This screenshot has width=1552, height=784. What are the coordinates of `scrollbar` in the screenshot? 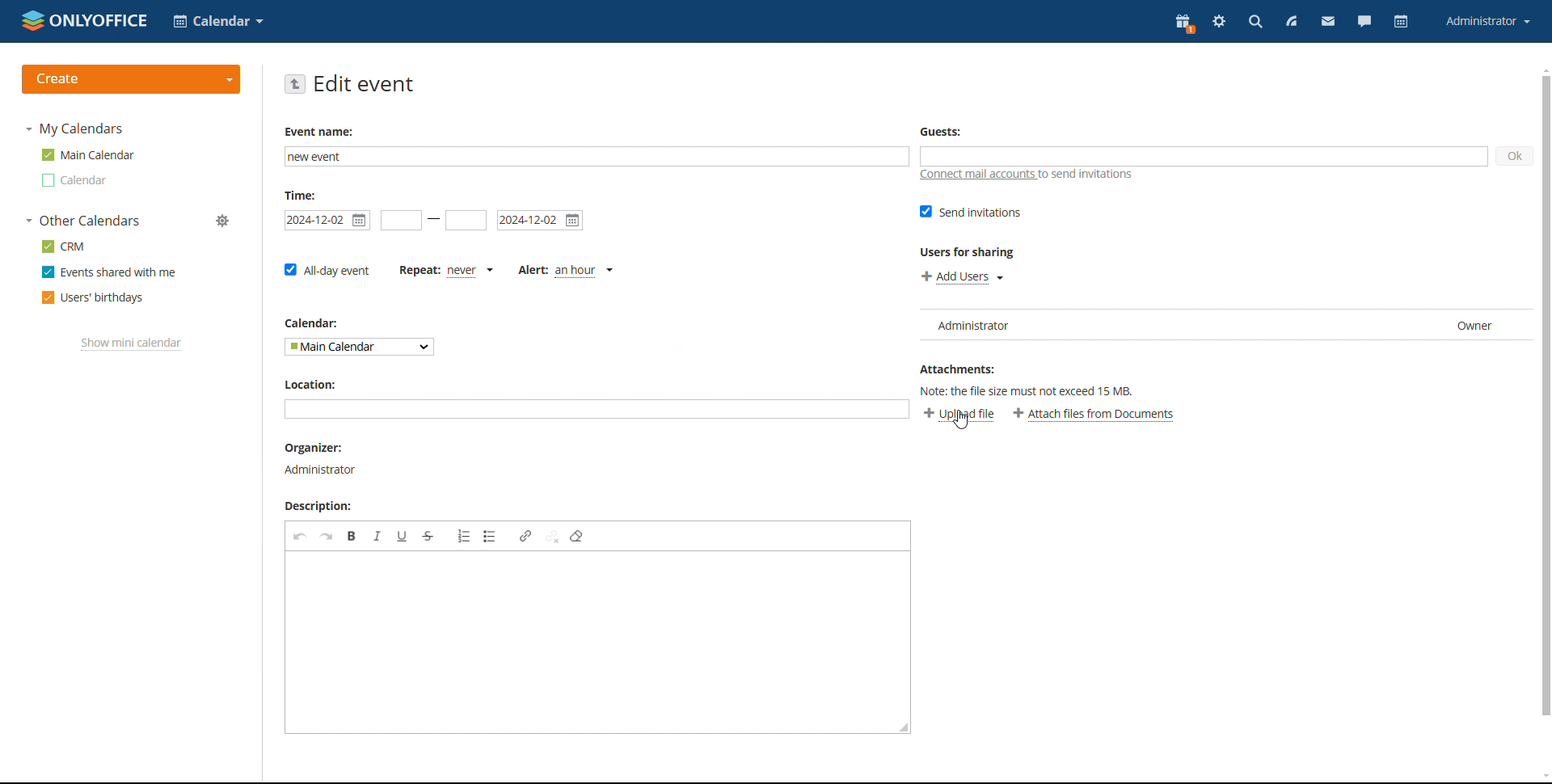 It's located at (1546, 397).